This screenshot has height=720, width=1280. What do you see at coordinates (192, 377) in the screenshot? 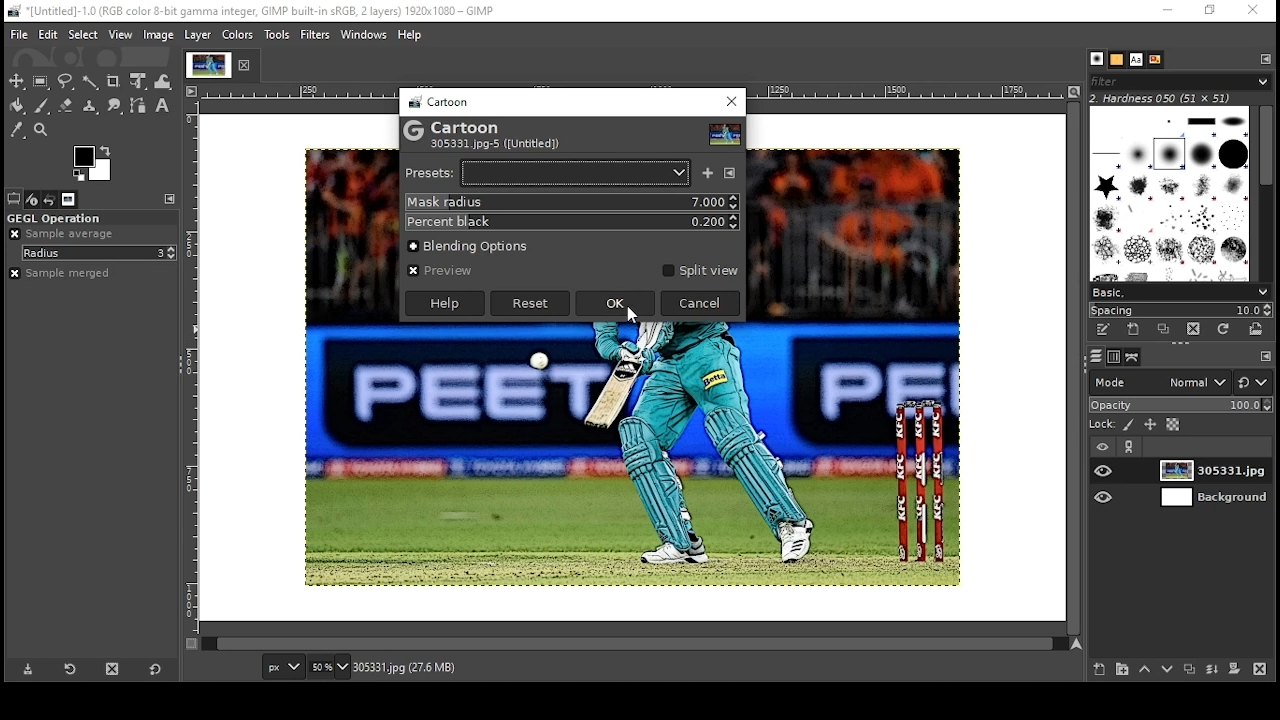
I see `vertical scale` at bounding box center [192, 377].